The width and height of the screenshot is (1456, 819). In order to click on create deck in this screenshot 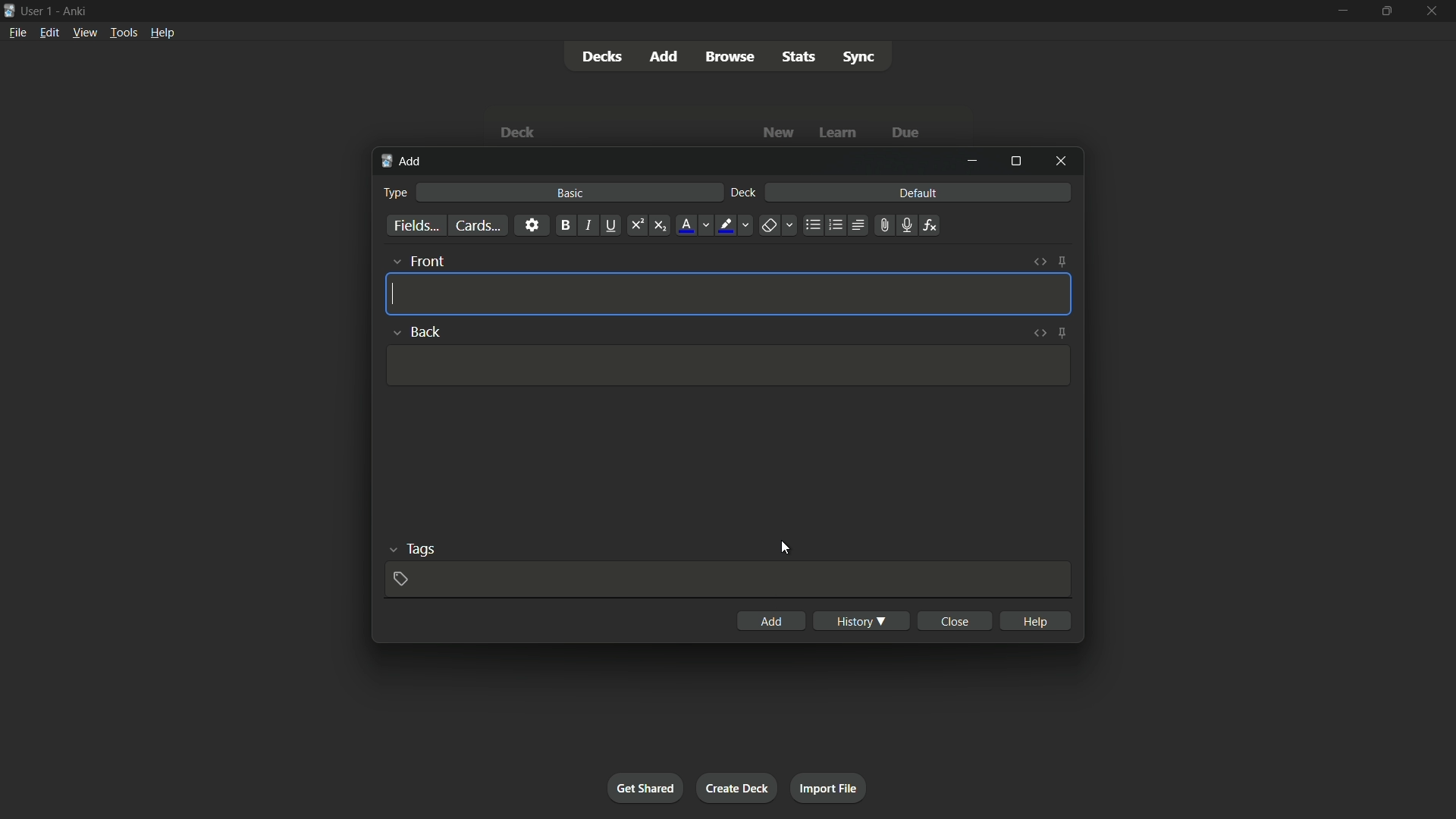, I will do `click(739, 787)`.